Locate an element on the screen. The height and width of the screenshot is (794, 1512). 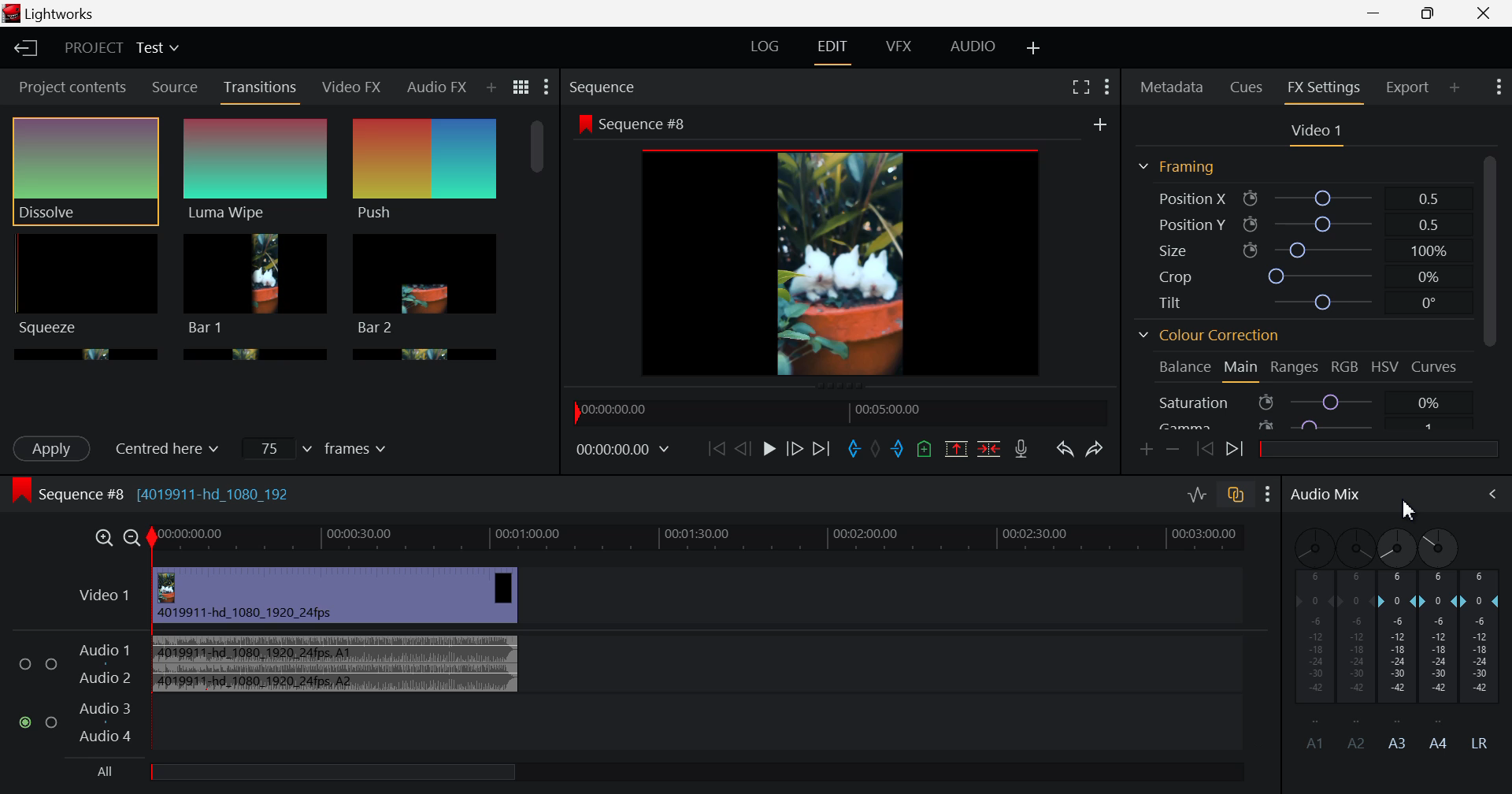
Remove all marks is located at coordinates (875, 449).